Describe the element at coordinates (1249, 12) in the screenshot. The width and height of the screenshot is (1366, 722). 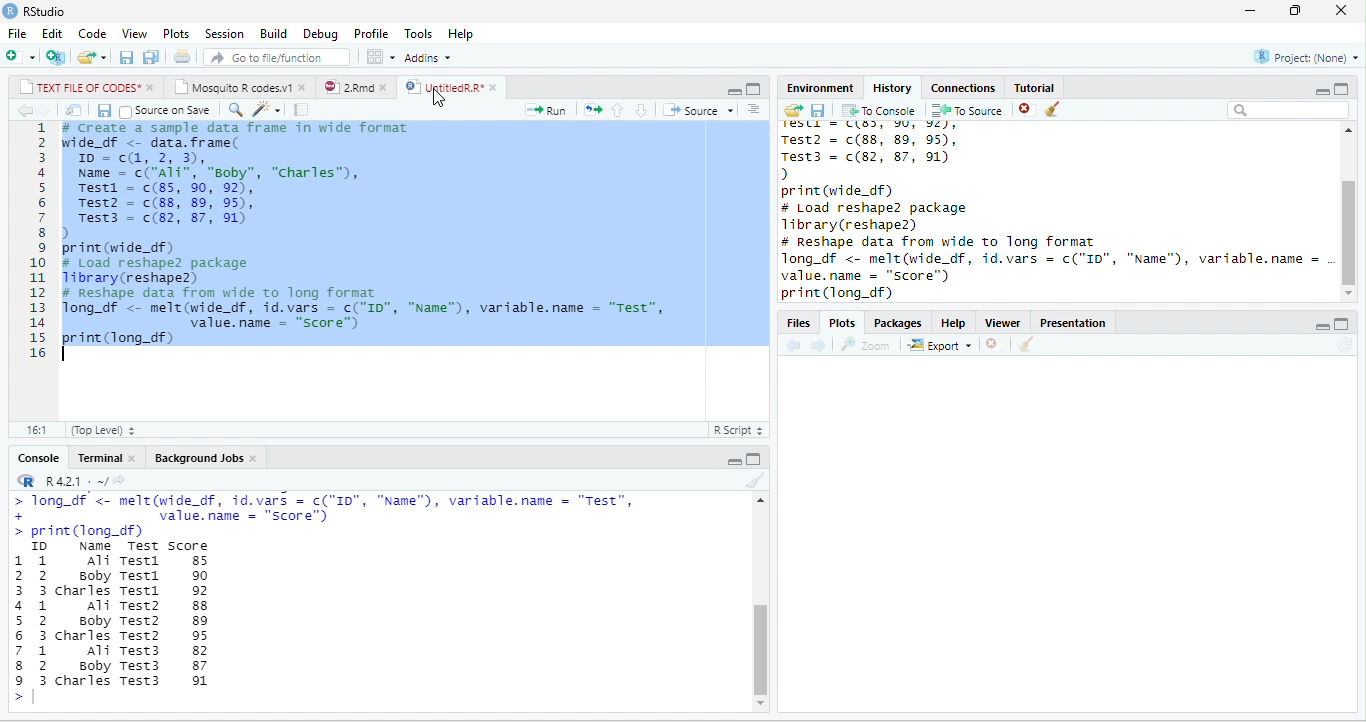
I see `minimize` at that location.